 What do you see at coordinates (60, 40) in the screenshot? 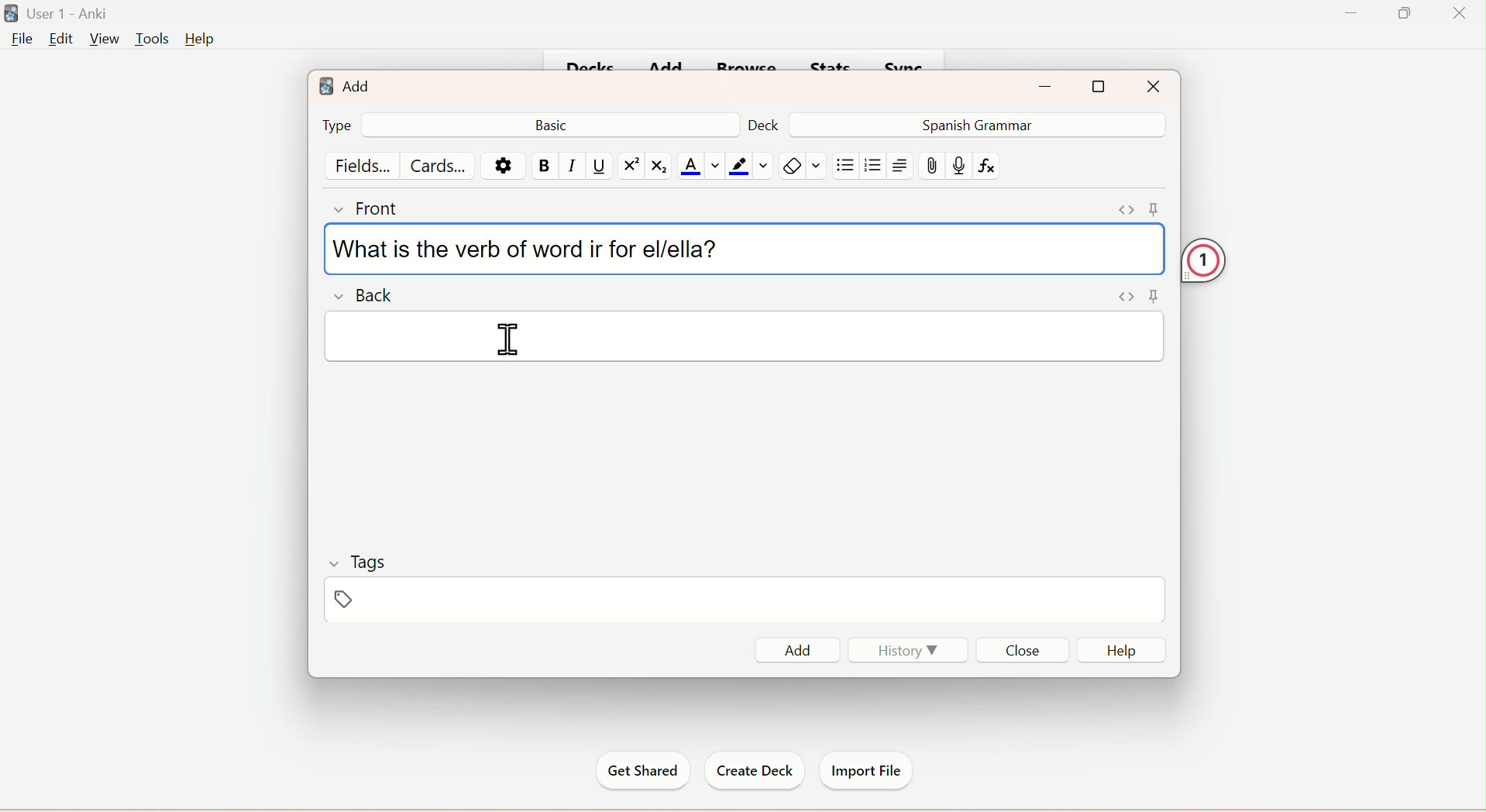
I see `Edit` at bounding box center [60, 40].